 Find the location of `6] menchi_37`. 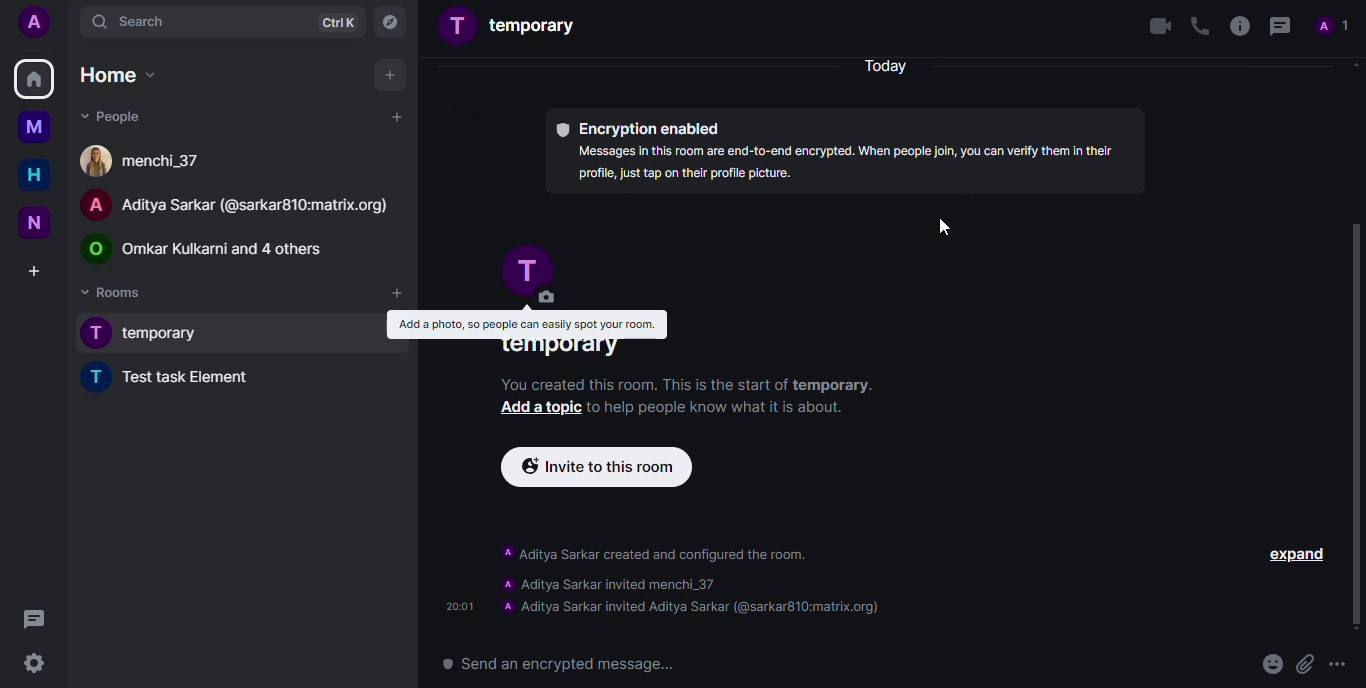

6] menchi_37 is located at coordinates (142, 161).